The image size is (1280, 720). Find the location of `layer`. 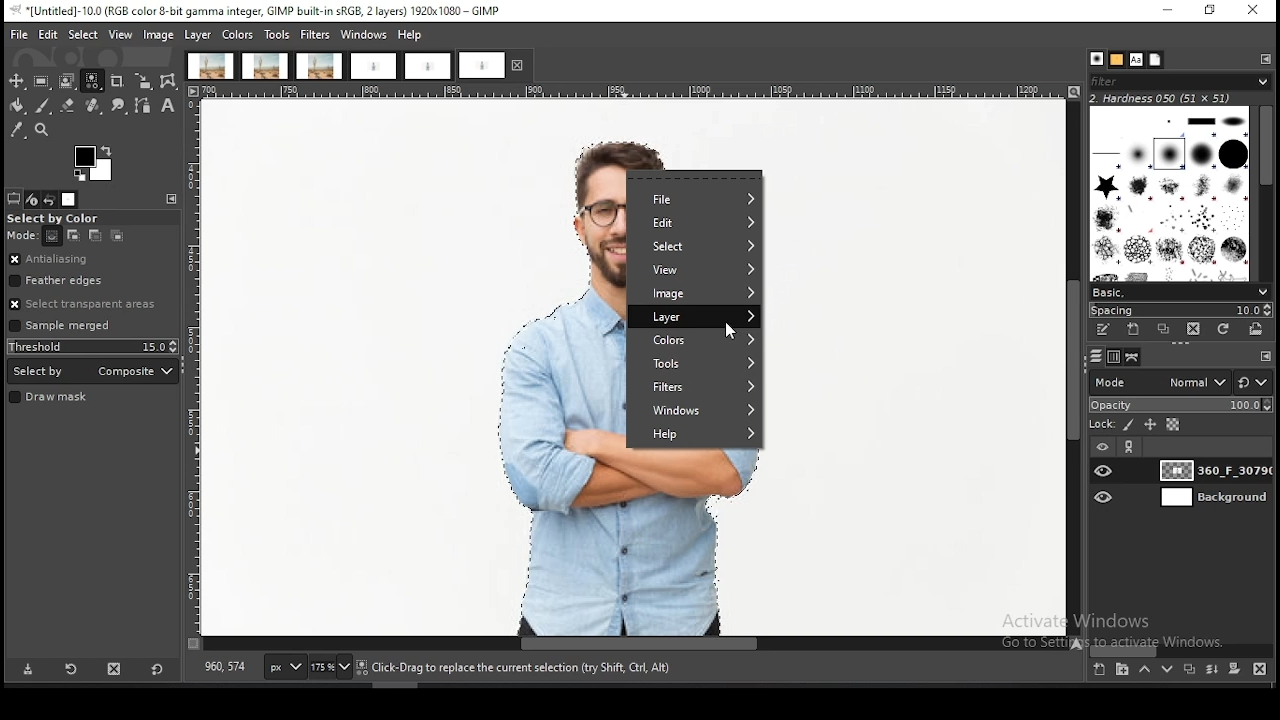

layer is located at coordinates (198, 35).